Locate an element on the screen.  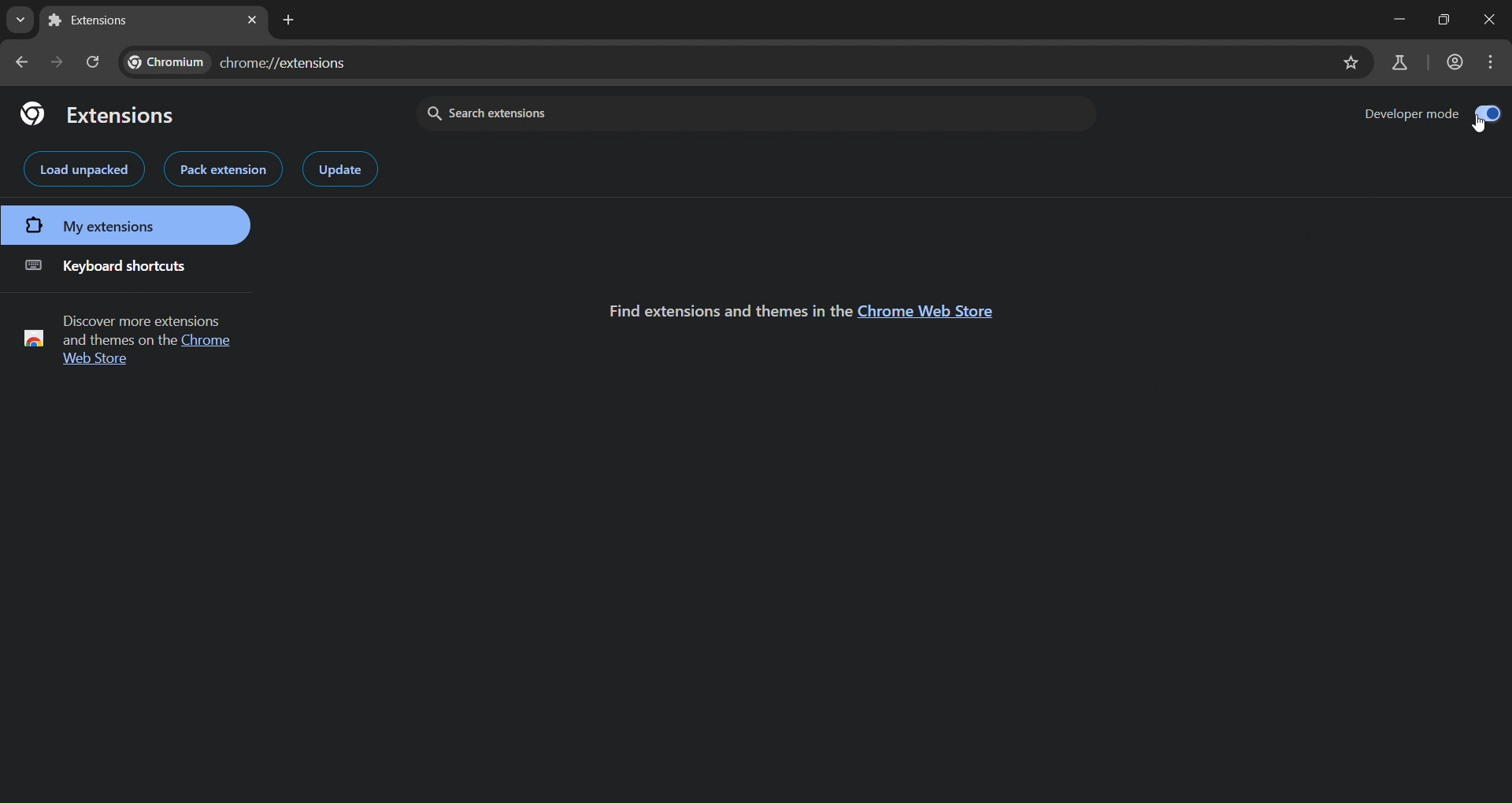
close tab is located at coordinates (252, 20).